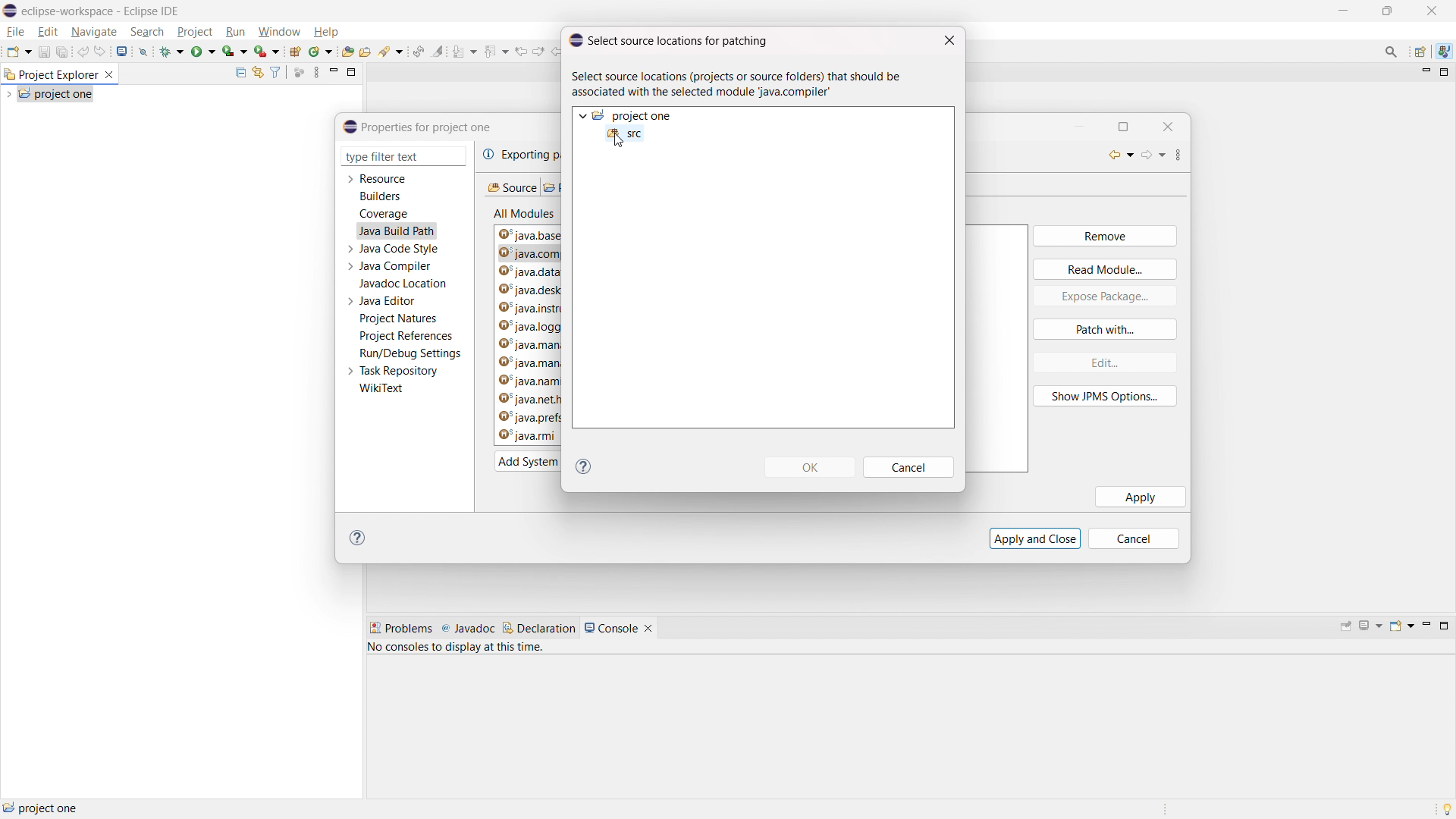 Image resolution: width=1456 pixels, height=819 pixels. I want to click on apply, so click(1141, 497).